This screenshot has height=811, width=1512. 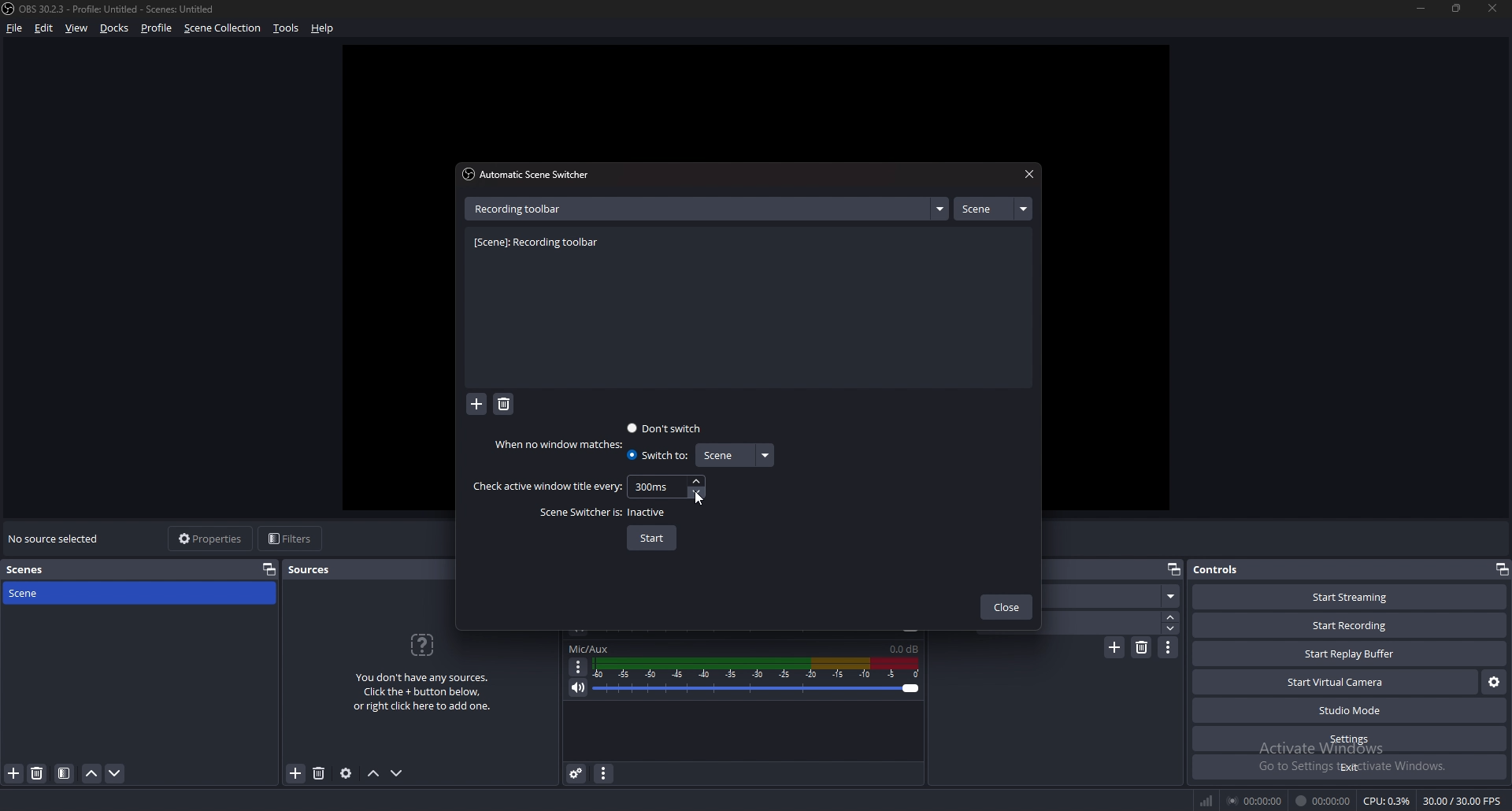 I want to click on close, so click(x=1027, y=175).